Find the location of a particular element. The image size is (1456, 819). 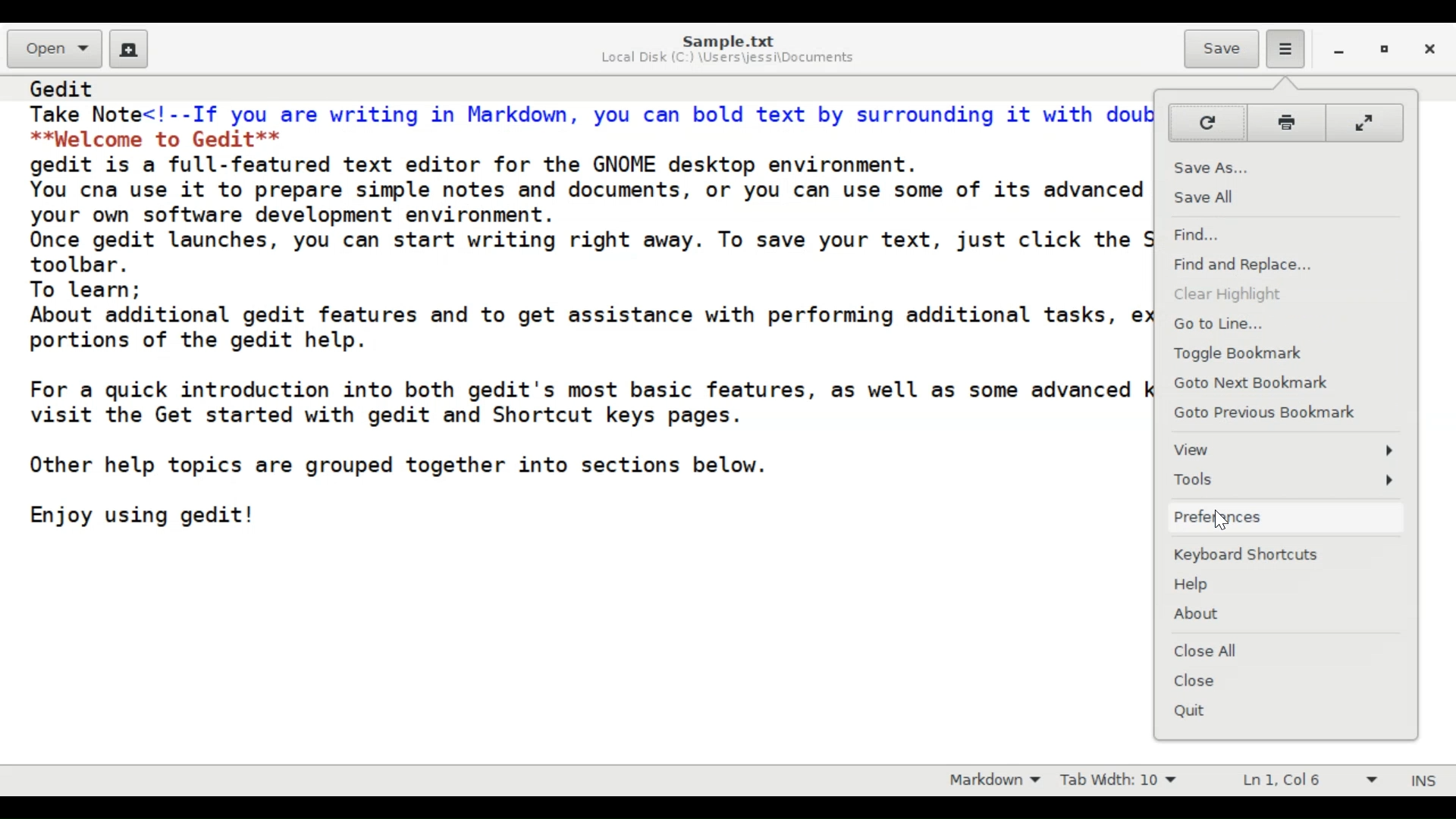

Cursor is located at coordinates (1222, 519).